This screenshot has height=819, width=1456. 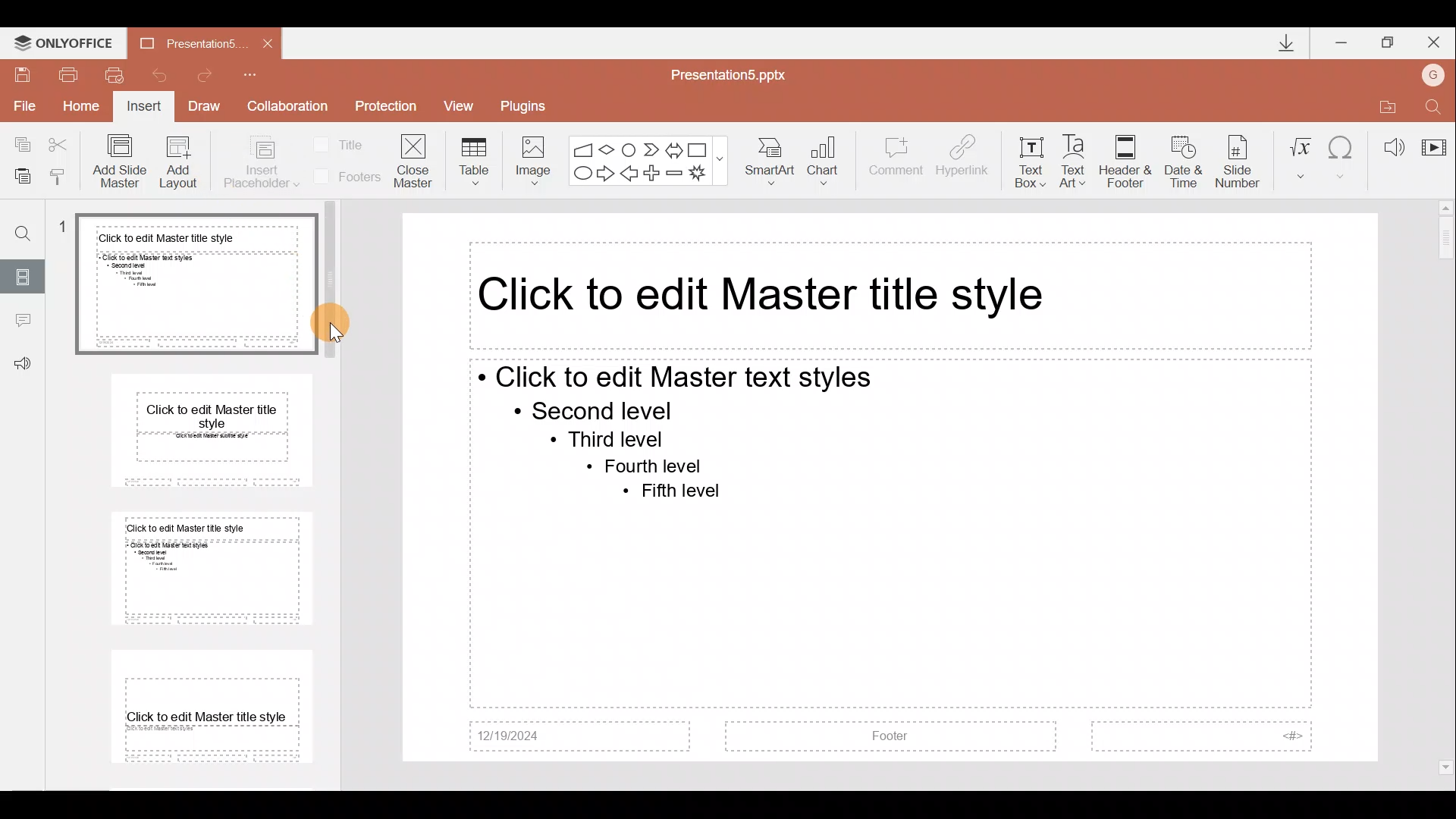 I want to click on Document name, so click(x=737, y=74).